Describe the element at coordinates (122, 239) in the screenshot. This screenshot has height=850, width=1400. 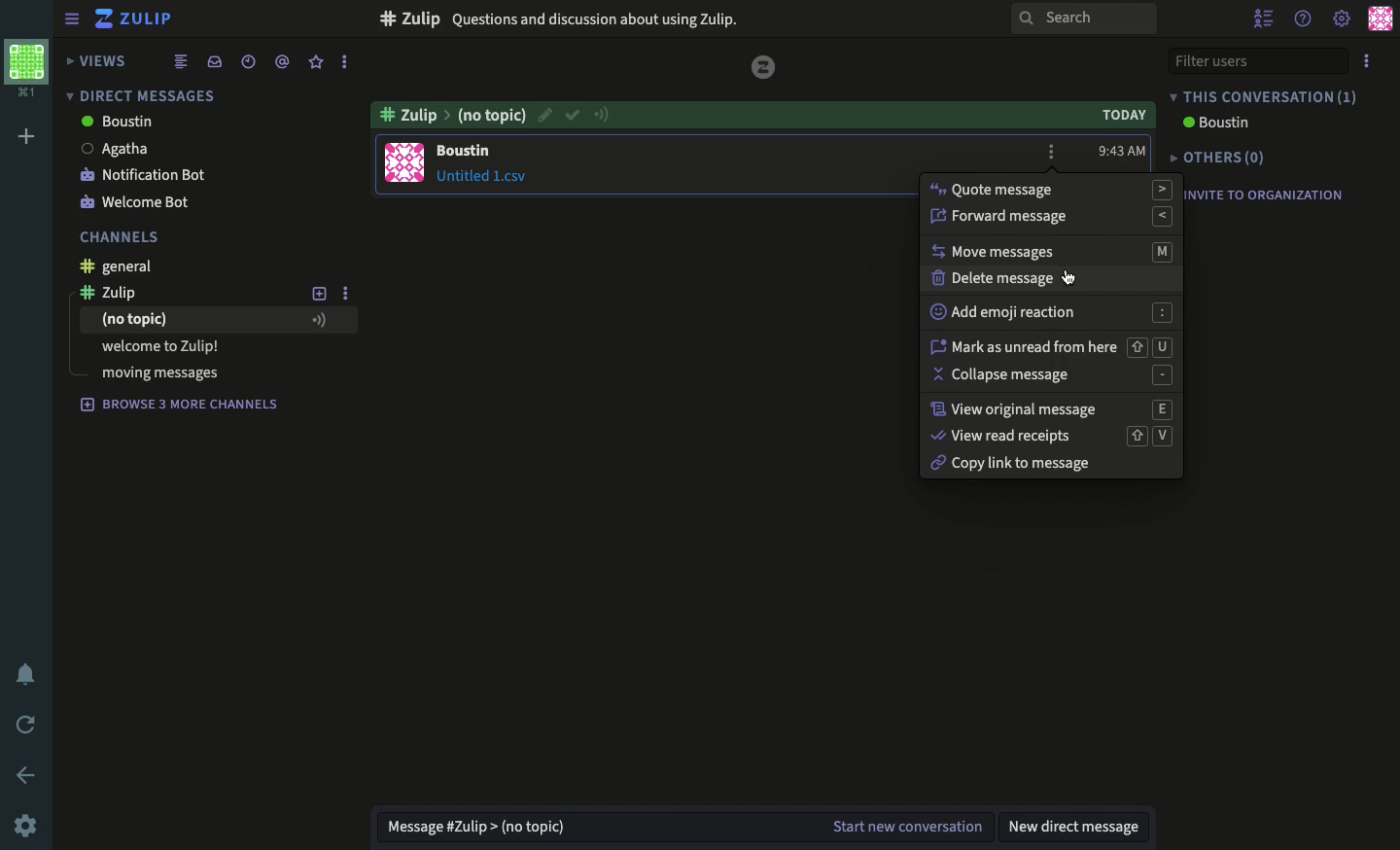
I see `channels` at that location.